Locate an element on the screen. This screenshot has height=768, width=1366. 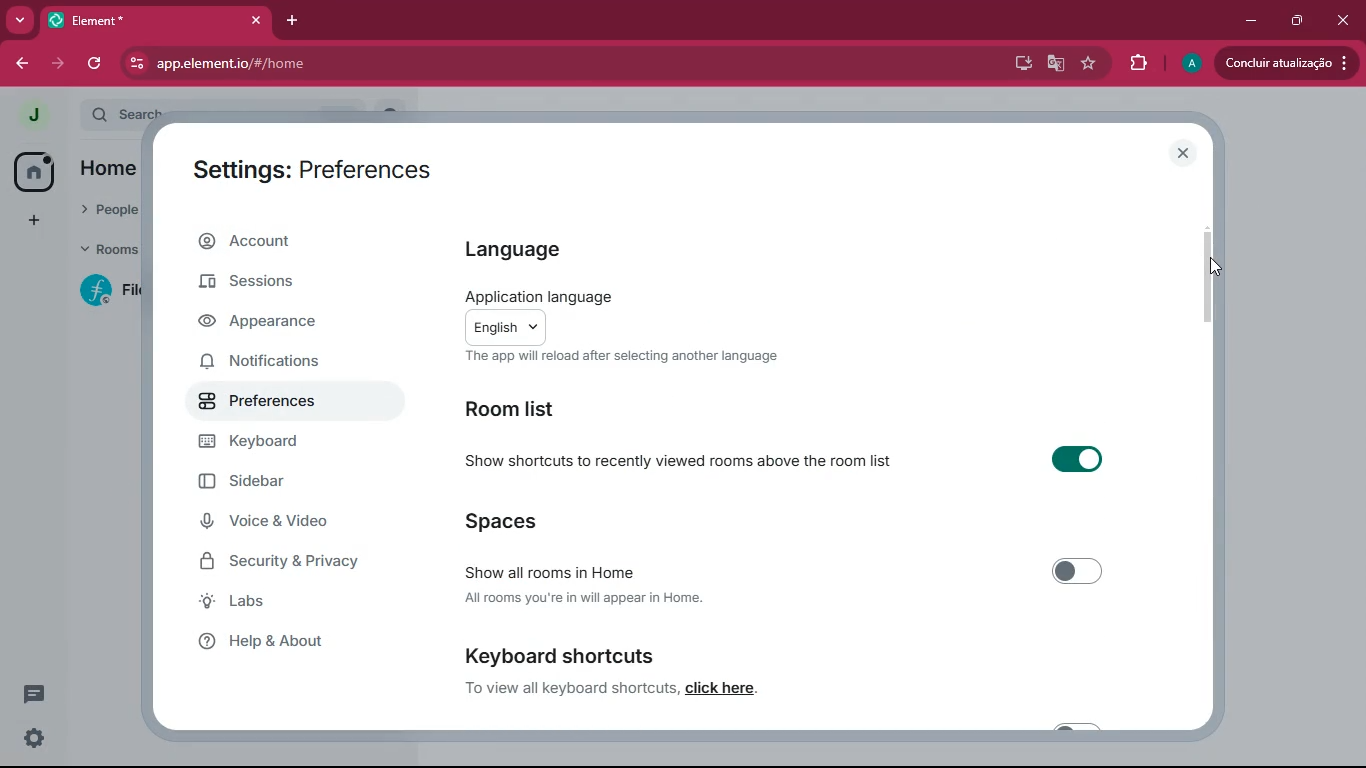
all rooms you're in will appear in home. is located at coordinates (585, 598).